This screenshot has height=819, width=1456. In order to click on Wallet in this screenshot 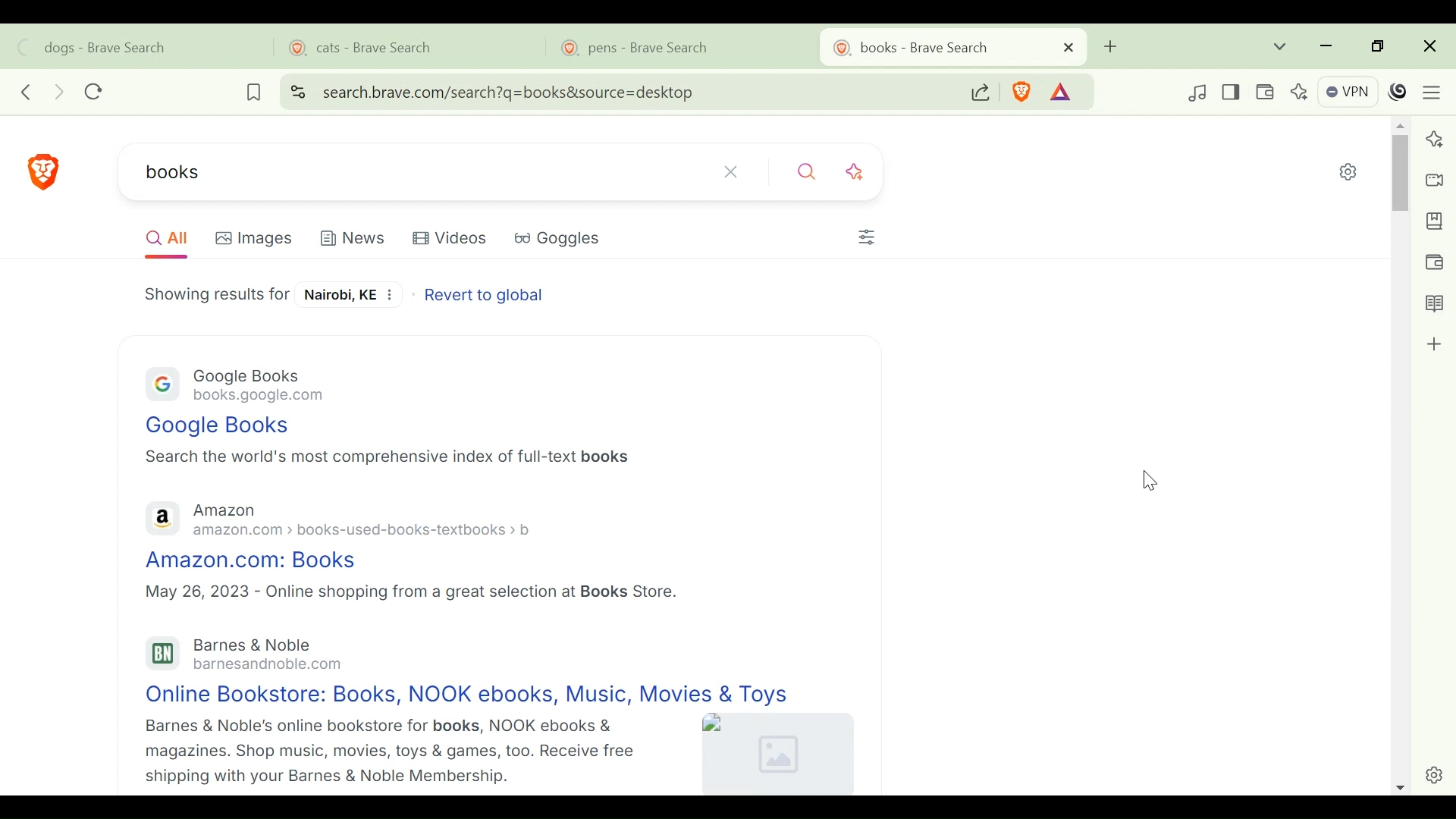, I will do `click(1266, 91)`.